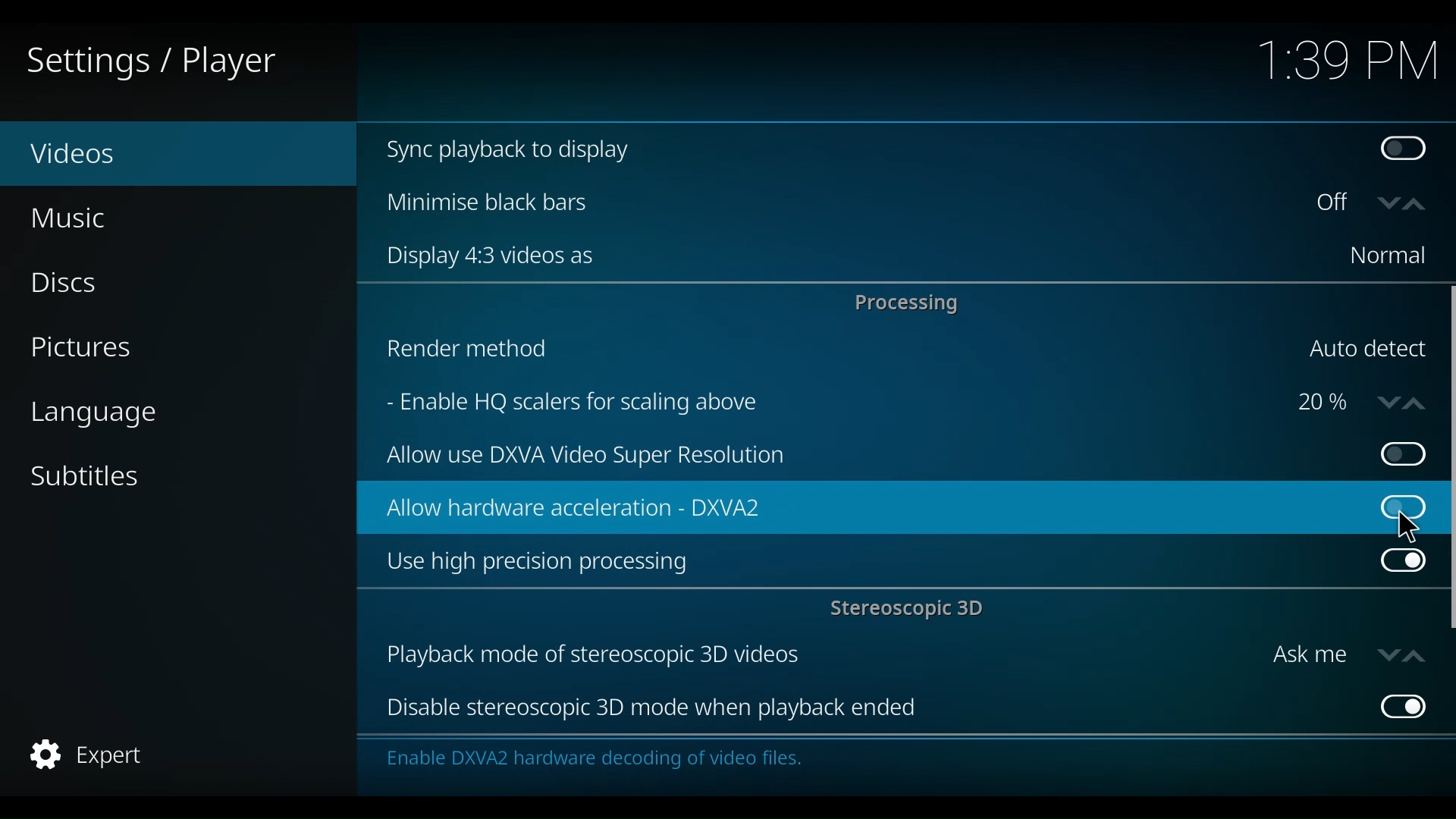 This screenshot has width=1456, height=819. I want to click on Enable HQ scalers for scaling above, so click(826, 404).